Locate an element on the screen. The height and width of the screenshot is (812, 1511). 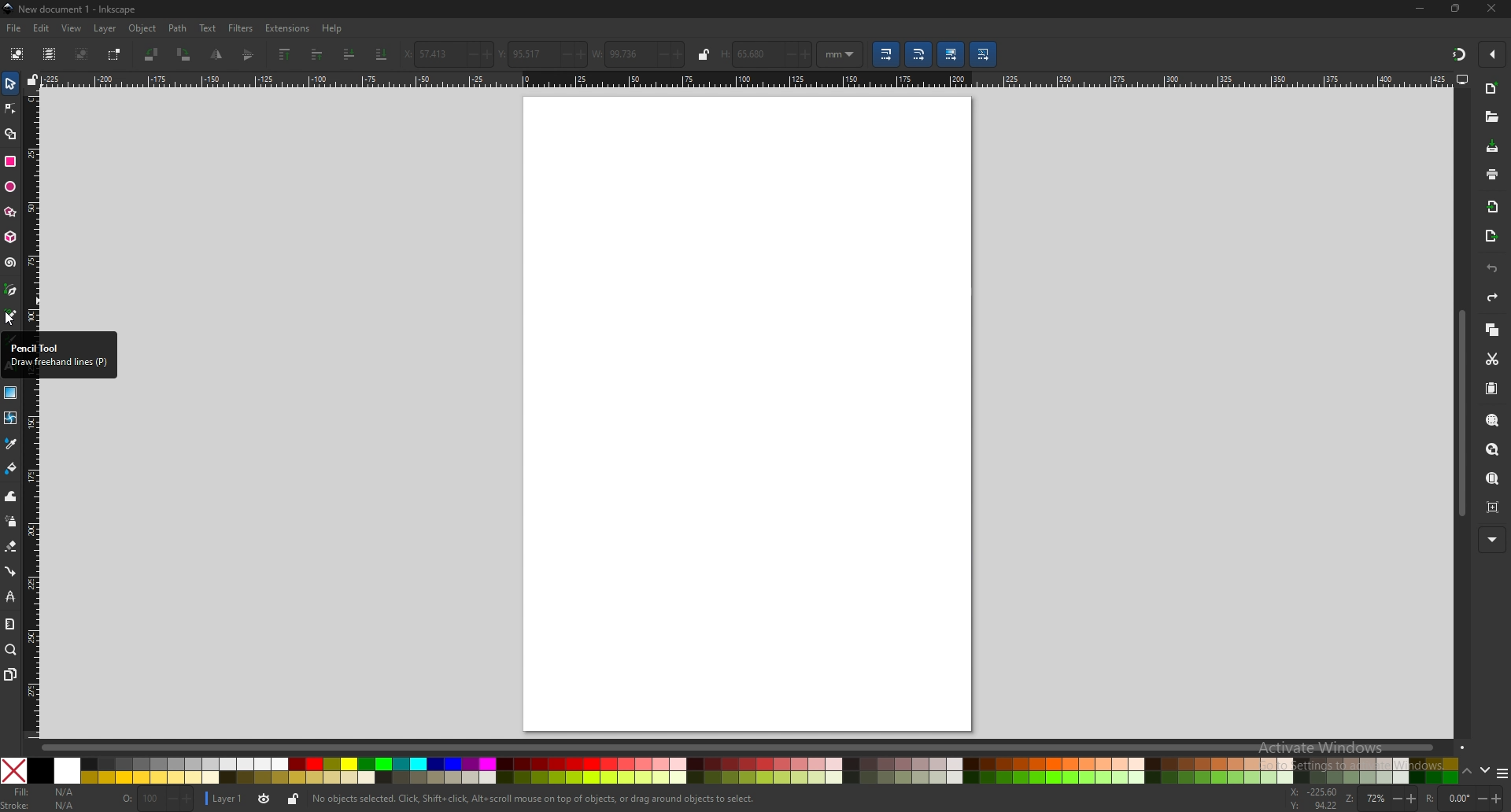
new is located at coordinates (1492, 90).